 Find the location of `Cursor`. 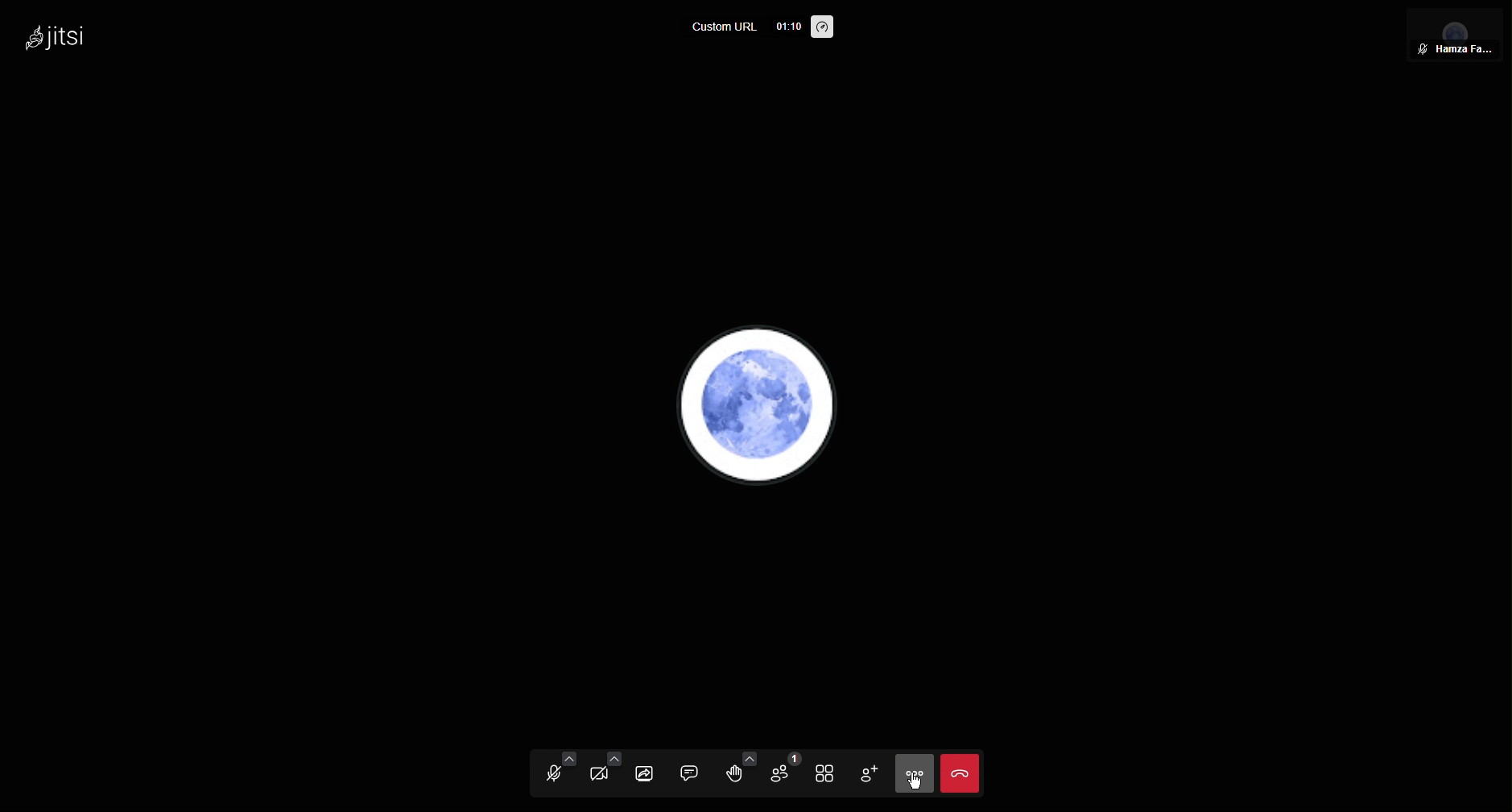

Cursor is located at coordinates (915, 782).